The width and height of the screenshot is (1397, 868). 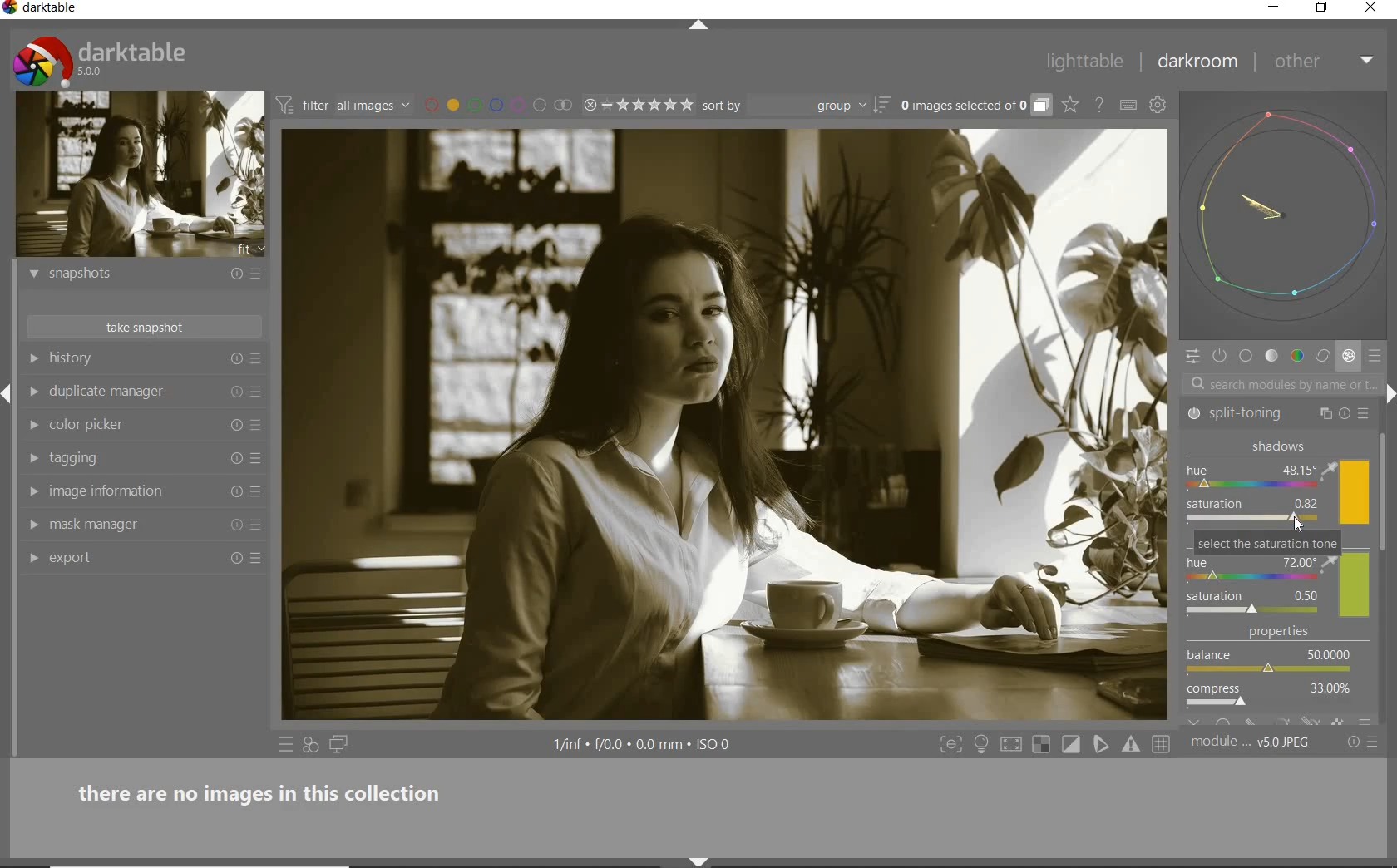 What do you see at coordinates (286, 744) in the screenshot?
I see `quick access to preset` at bounding box center [286, 744].